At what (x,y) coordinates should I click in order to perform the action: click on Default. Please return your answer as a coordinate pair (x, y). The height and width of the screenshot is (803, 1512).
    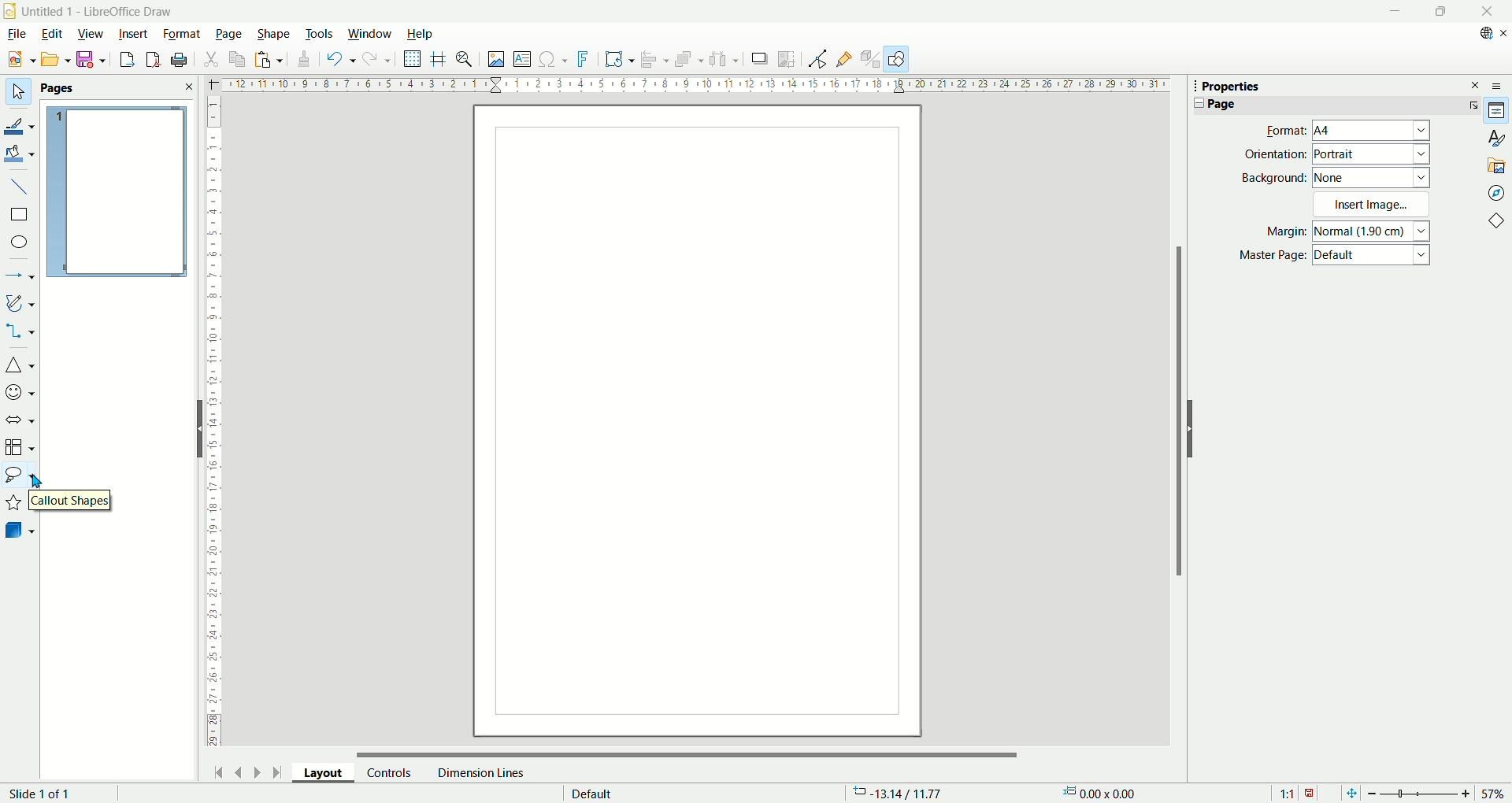
    Looking at the image, I should click on (1373, 257).